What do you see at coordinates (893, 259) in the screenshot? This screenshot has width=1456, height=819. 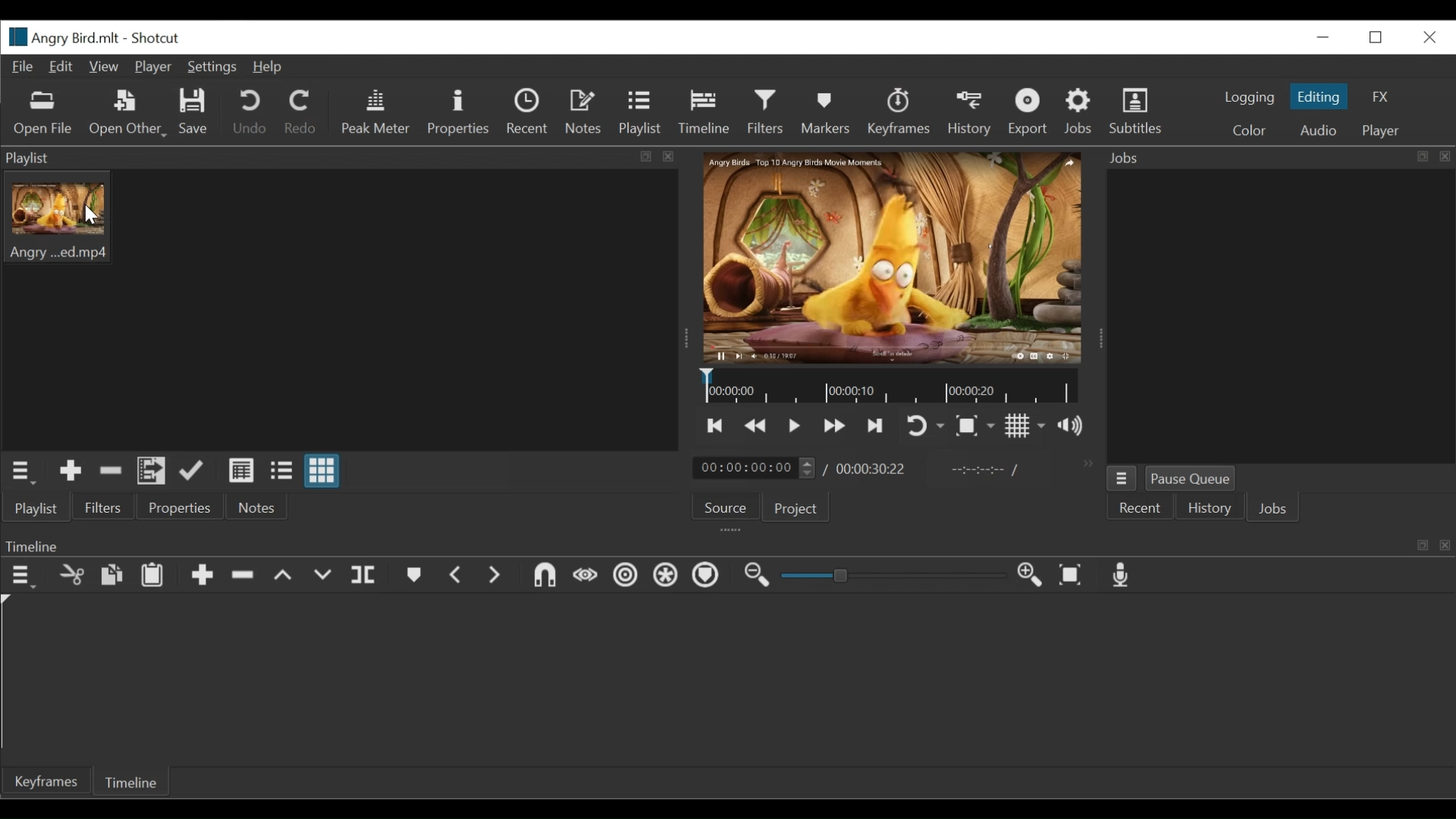 I see `Media Viewer` at bounding box center [893, 259].